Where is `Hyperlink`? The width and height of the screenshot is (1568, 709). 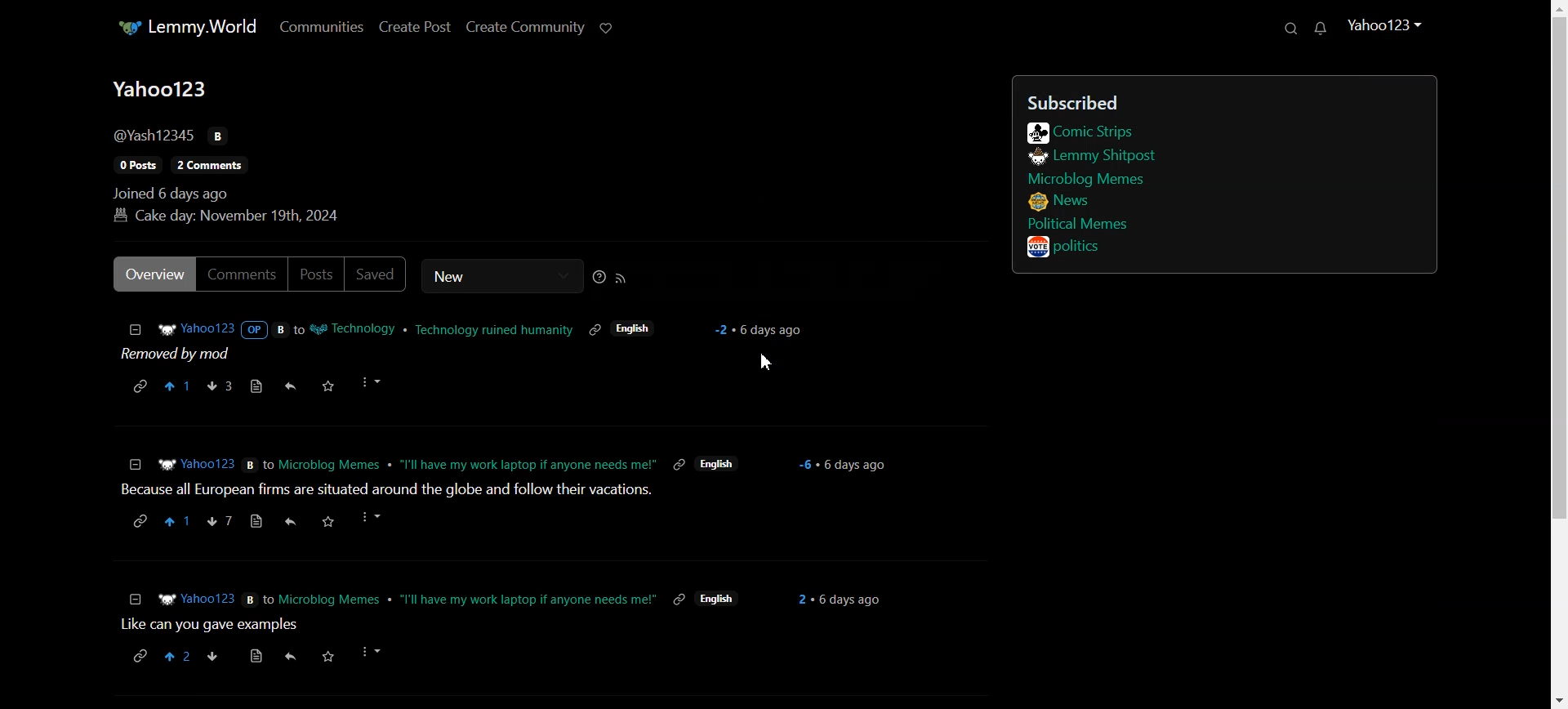 Hyperlink is located at coordinates (139, 385).